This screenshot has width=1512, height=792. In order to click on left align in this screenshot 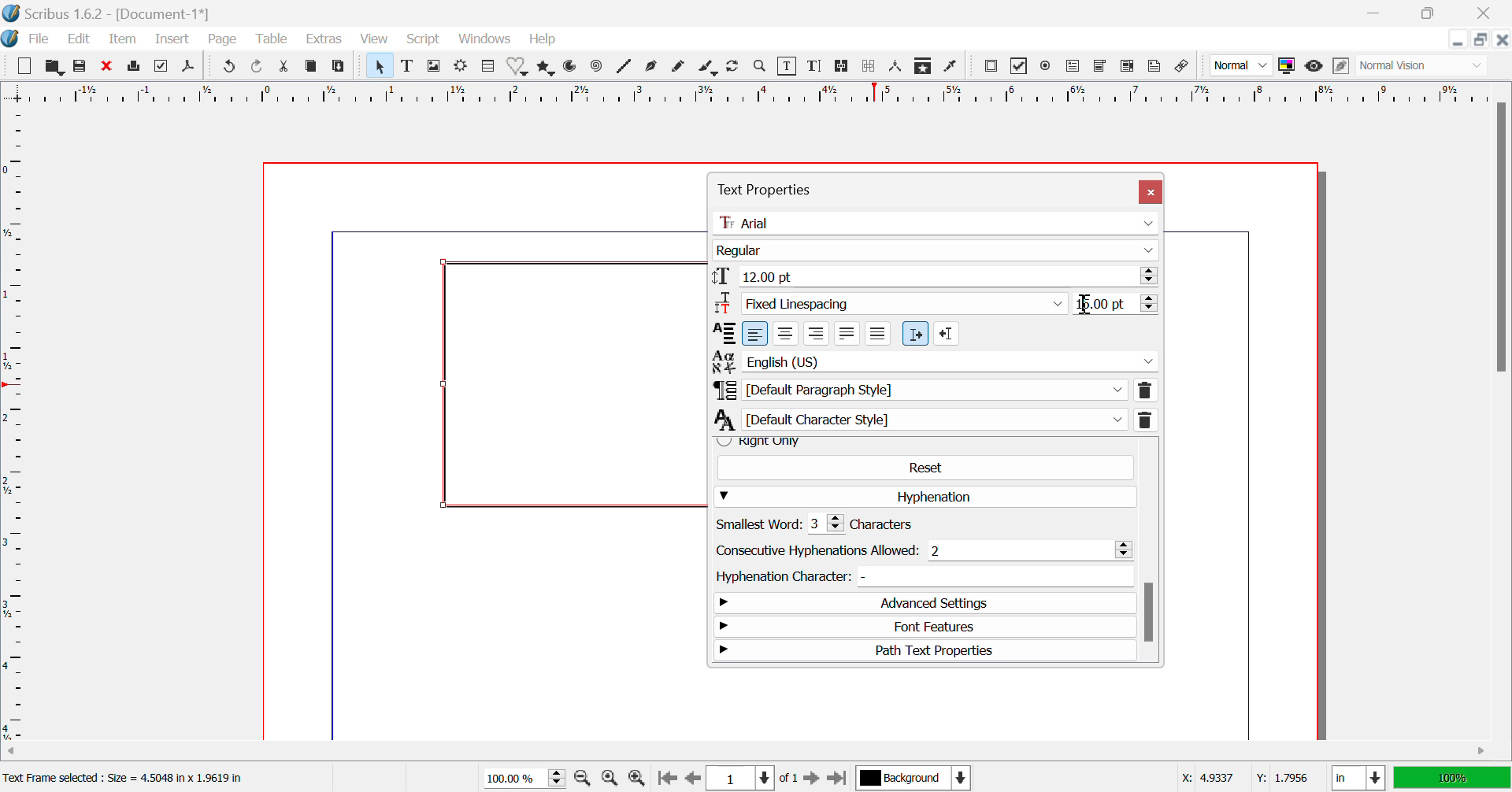, I will do `click(755, 334)`.